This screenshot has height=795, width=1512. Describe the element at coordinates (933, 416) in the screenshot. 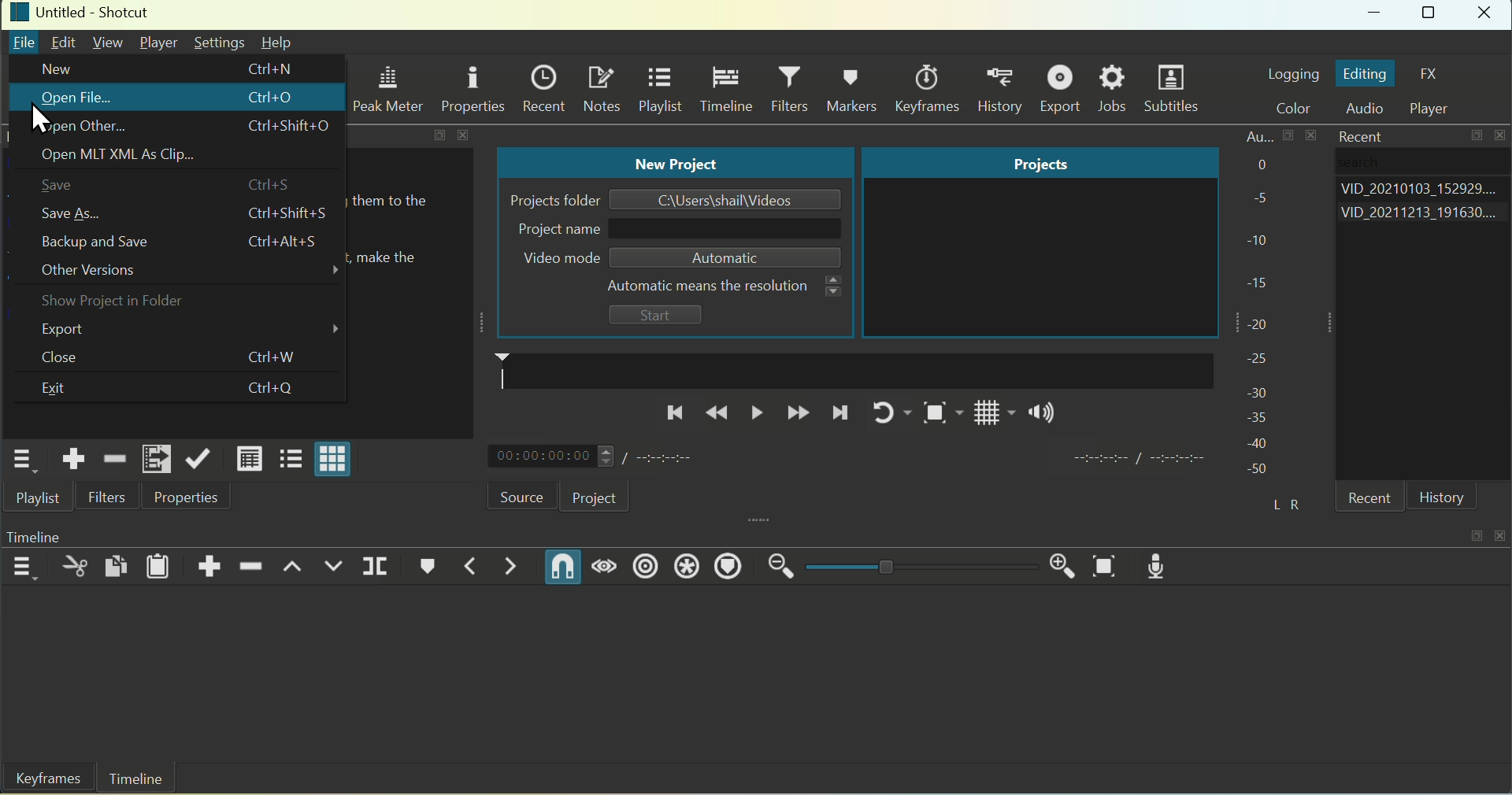

I see `Snapshot` at that location.